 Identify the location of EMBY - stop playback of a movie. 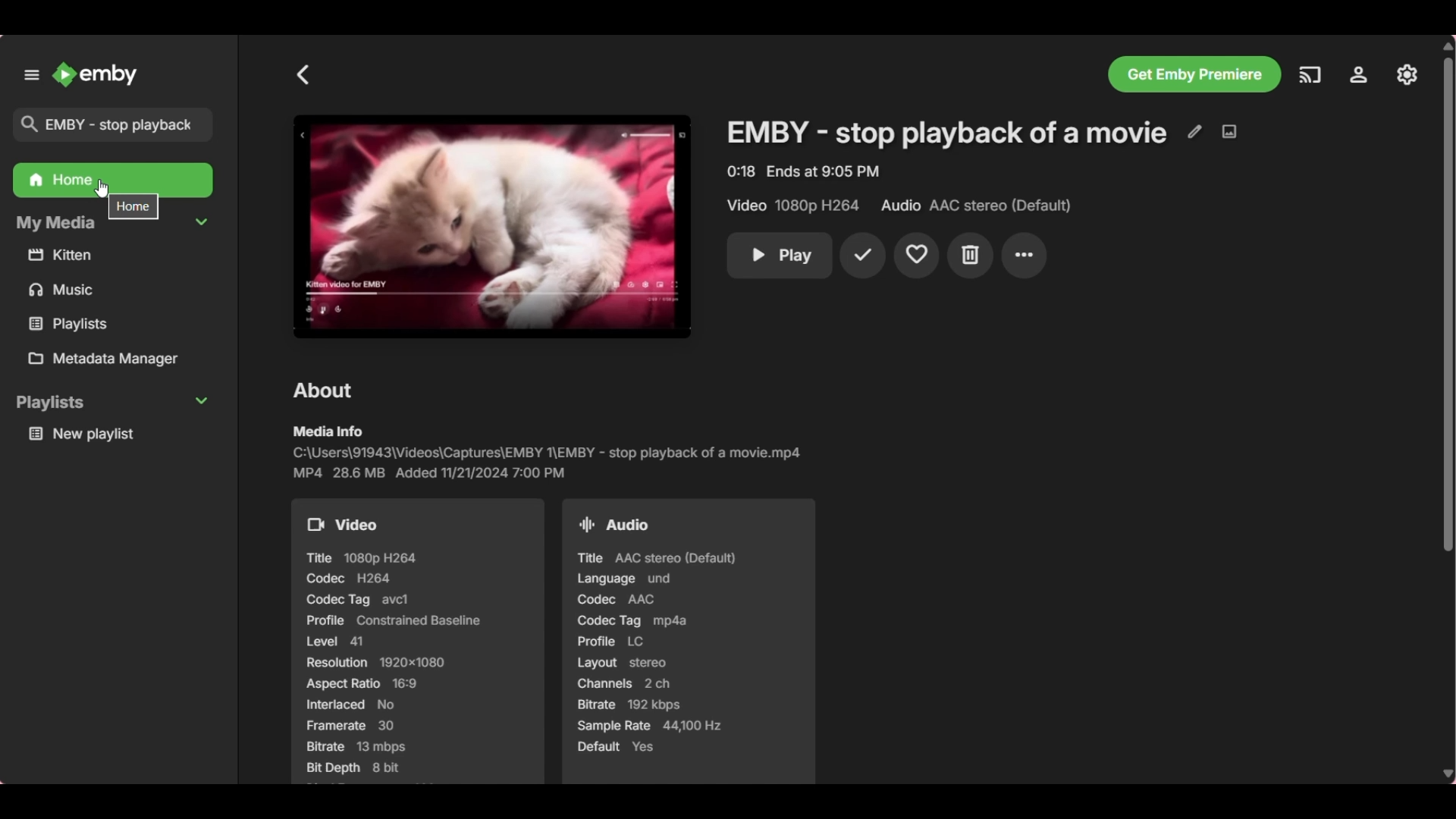
(945, 134).